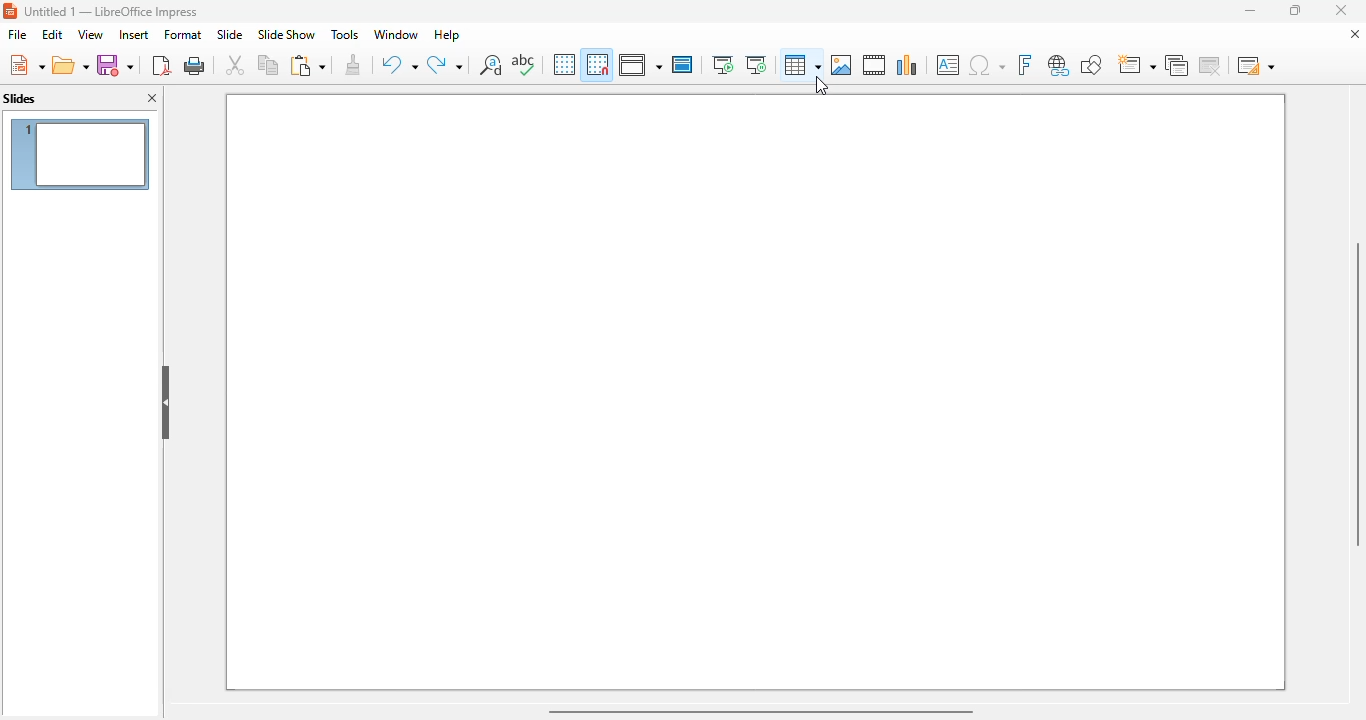 The image size is (1366, 720). What do you see at coordinates (10, 12) in the screenshot?
I see `logo` at bounding box center [10, 12].